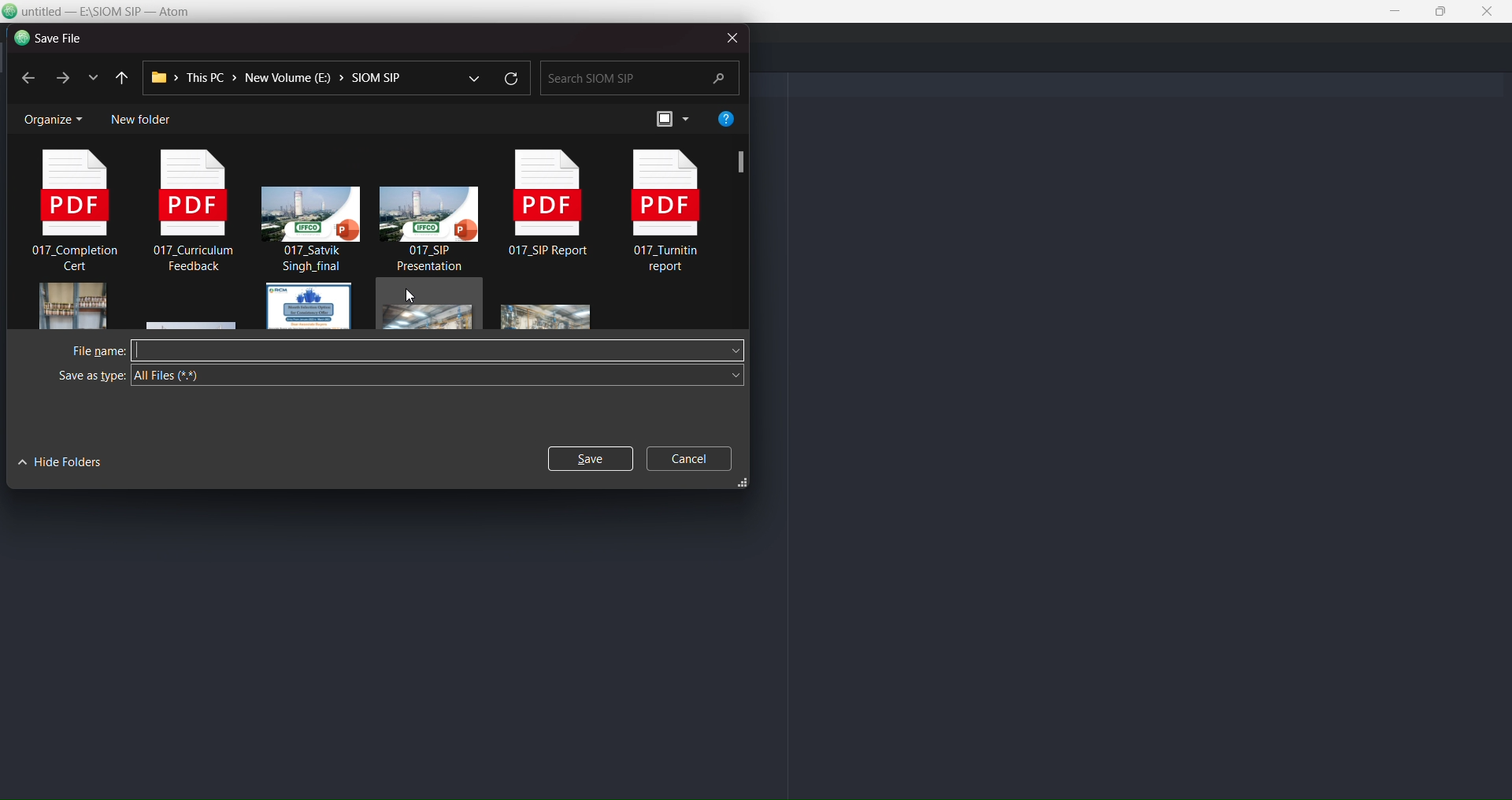  What do you see at coordinates (692, 459) in the screenshot?
I see `cancel` at bounding box center [692, 459].